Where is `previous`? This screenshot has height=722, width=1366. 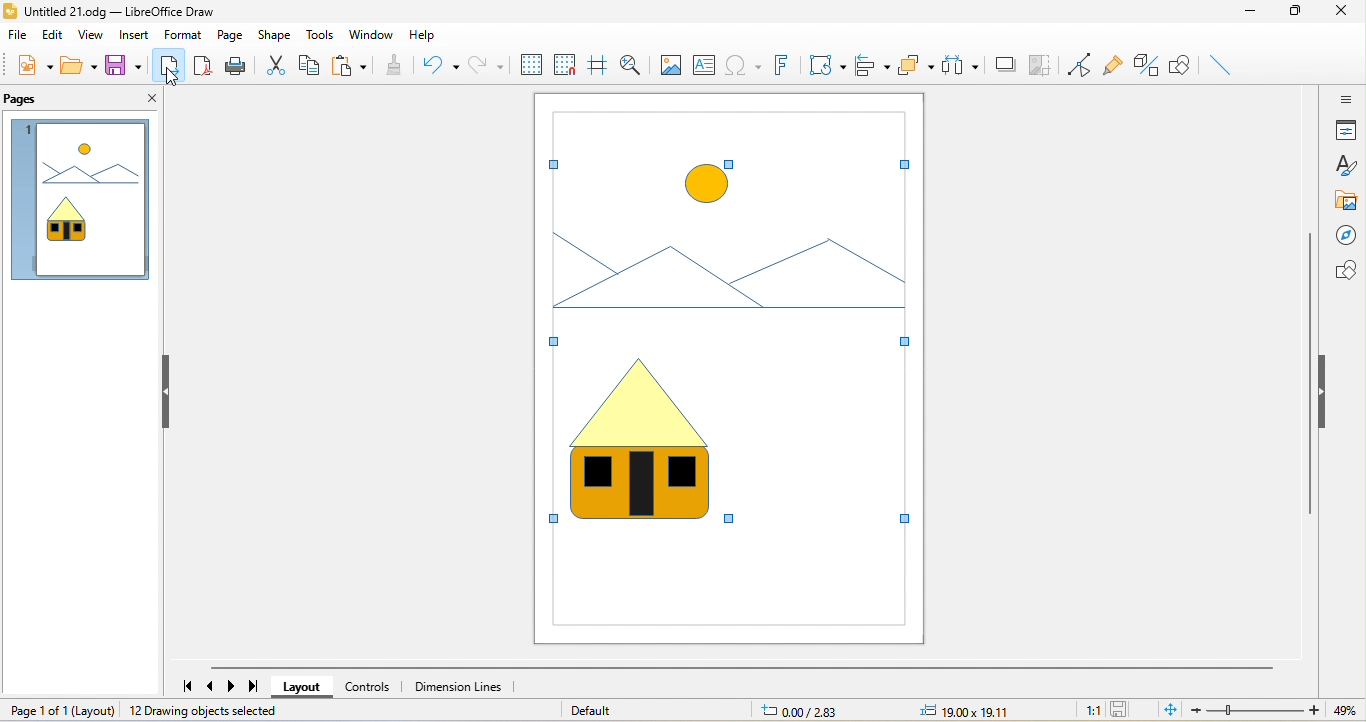
previous is located at coordinates (213, 686).